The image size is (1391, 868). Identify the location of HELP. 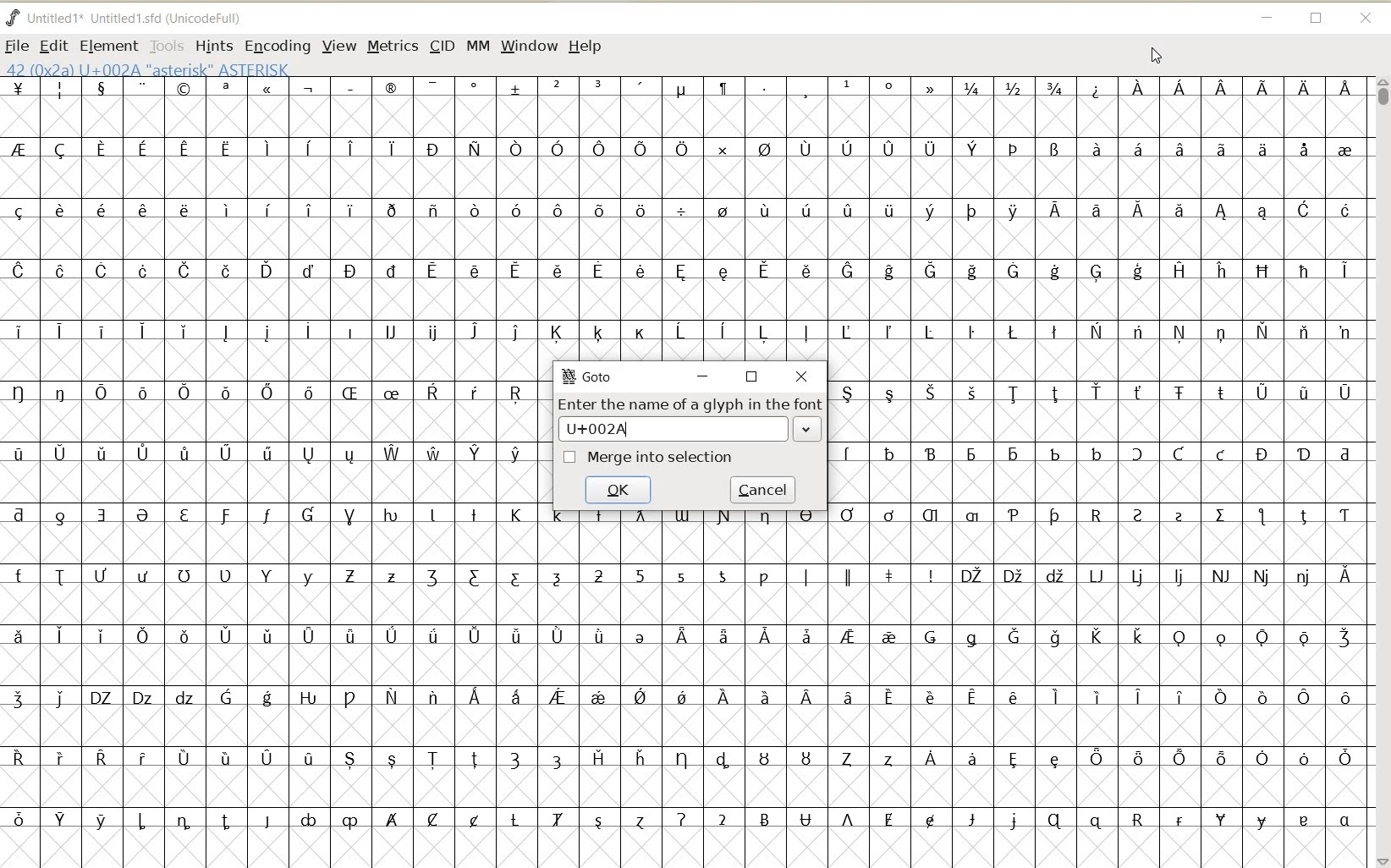
(585, 47).